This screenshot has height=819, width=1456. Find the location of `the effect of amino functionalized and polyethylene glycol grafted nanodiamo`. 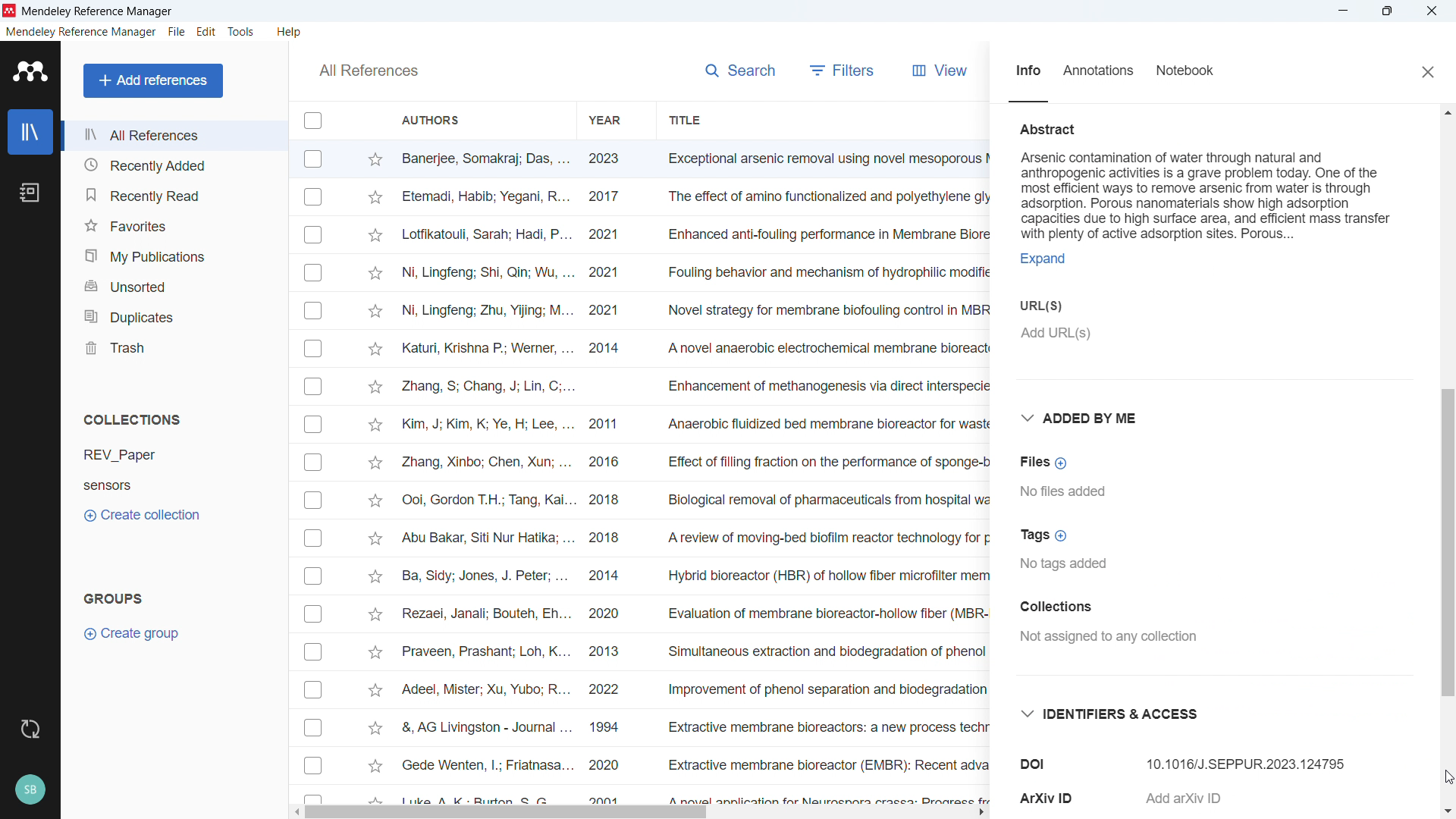

the effect of amino functionalized and polyethylene glycol grafted nanodiamo is located at coordinates (827, 199).